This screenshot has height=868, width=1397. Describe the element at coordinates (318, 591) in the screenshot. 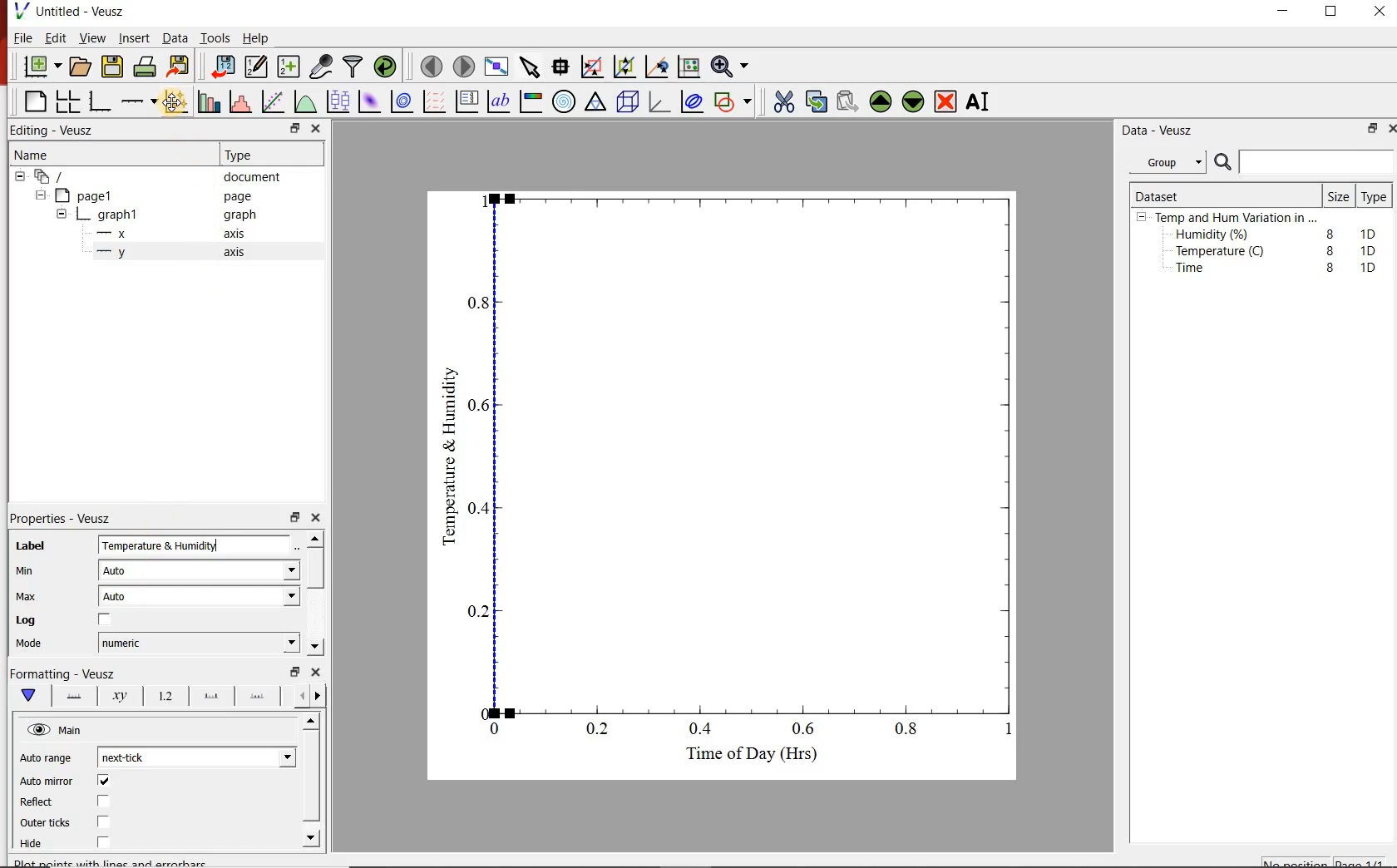

I see `scroll bar` at that location.